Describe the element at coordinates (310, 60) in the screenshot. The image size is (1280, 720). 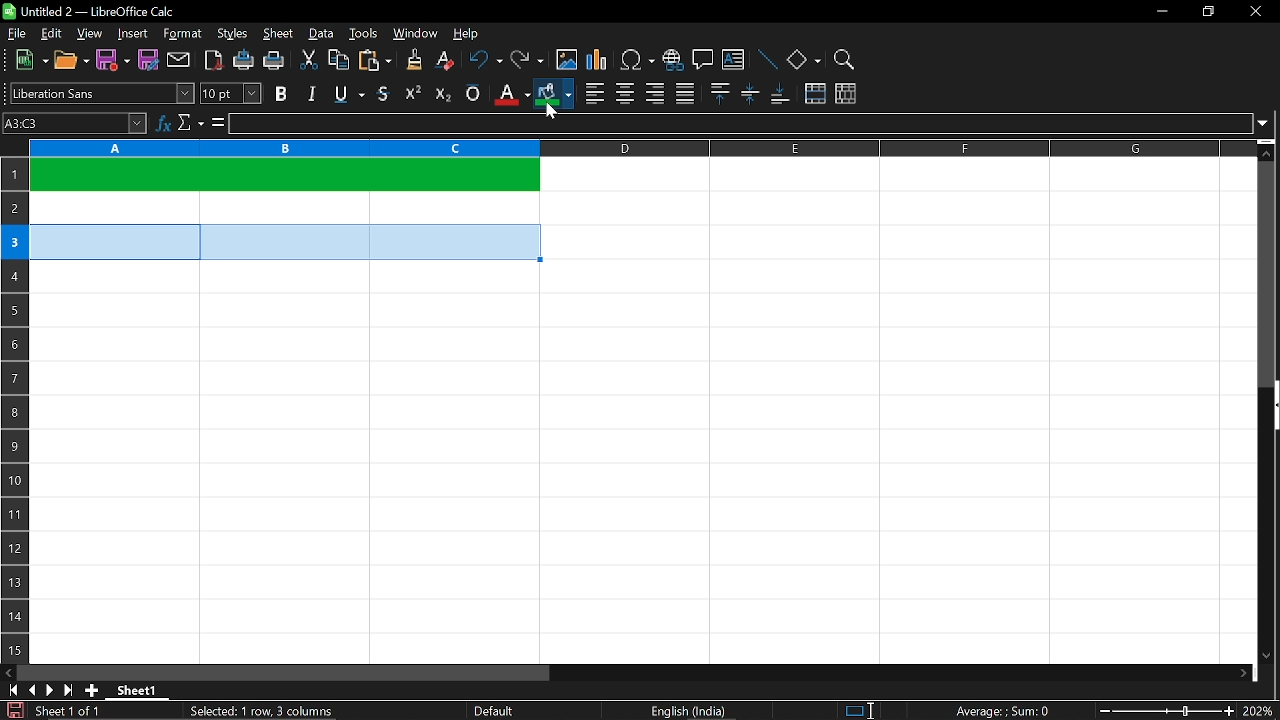
I see `cut` at that location.